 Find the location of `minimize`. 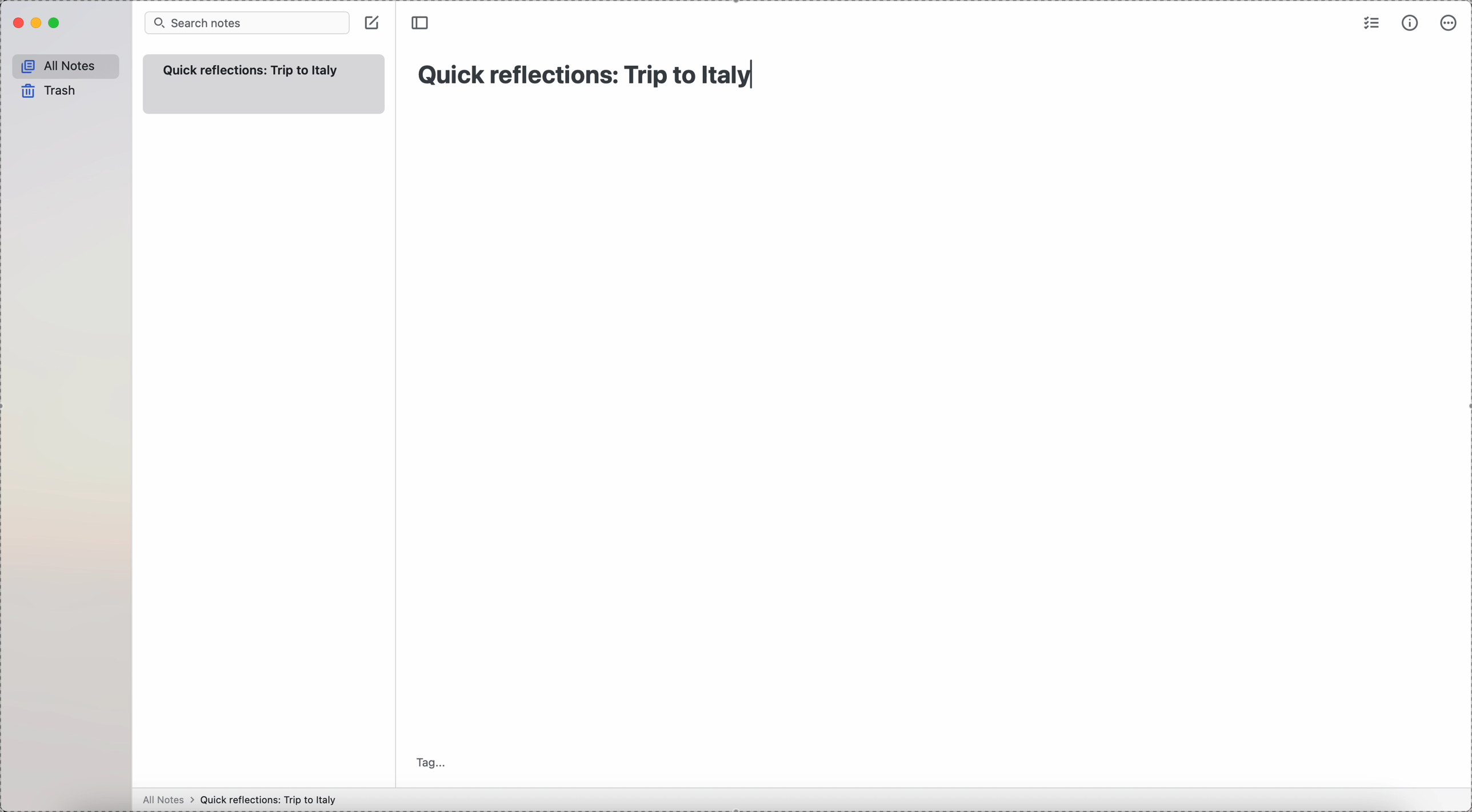

minimize is located at coordinates (38, 24).